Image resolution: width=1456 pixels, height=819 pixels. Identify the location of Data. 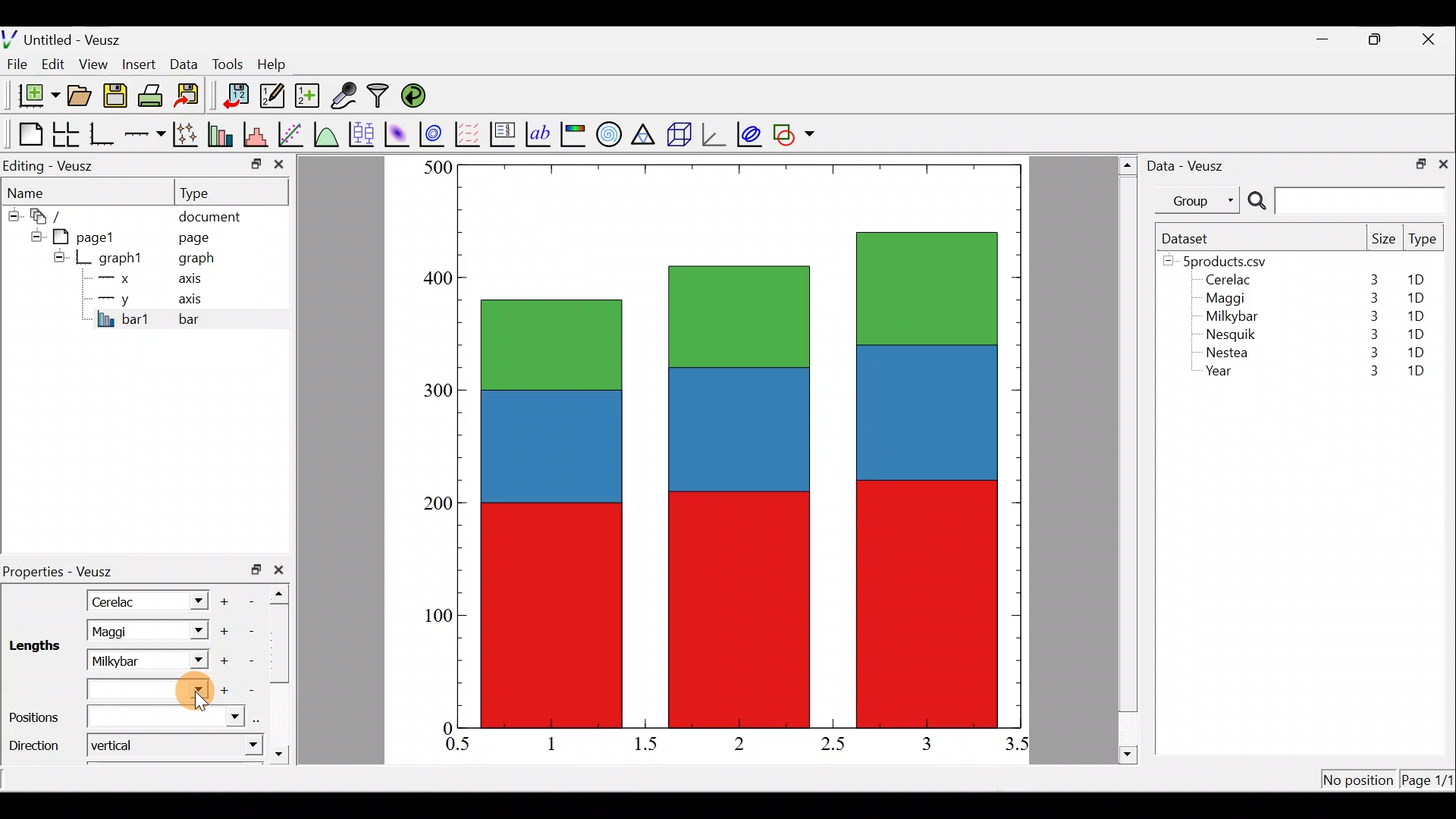
(184, 63).